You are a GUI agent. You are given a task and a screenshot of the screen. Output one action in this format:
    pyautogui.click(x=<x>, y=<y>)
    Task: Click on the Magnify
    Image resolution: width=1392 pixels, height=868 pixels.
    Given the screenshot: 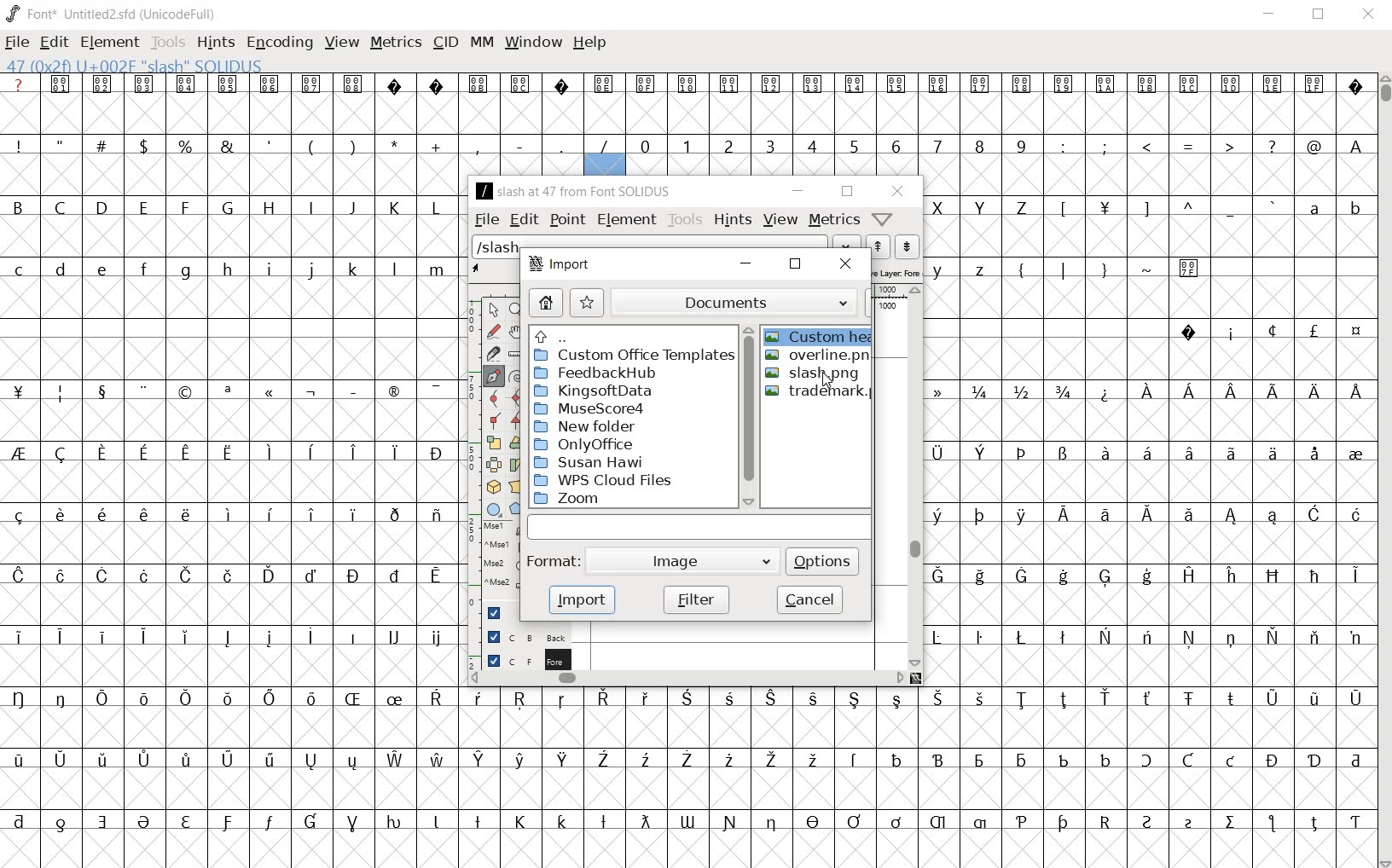 What is the action you would take?
    pyautogui.click(x=515, y=310)
    